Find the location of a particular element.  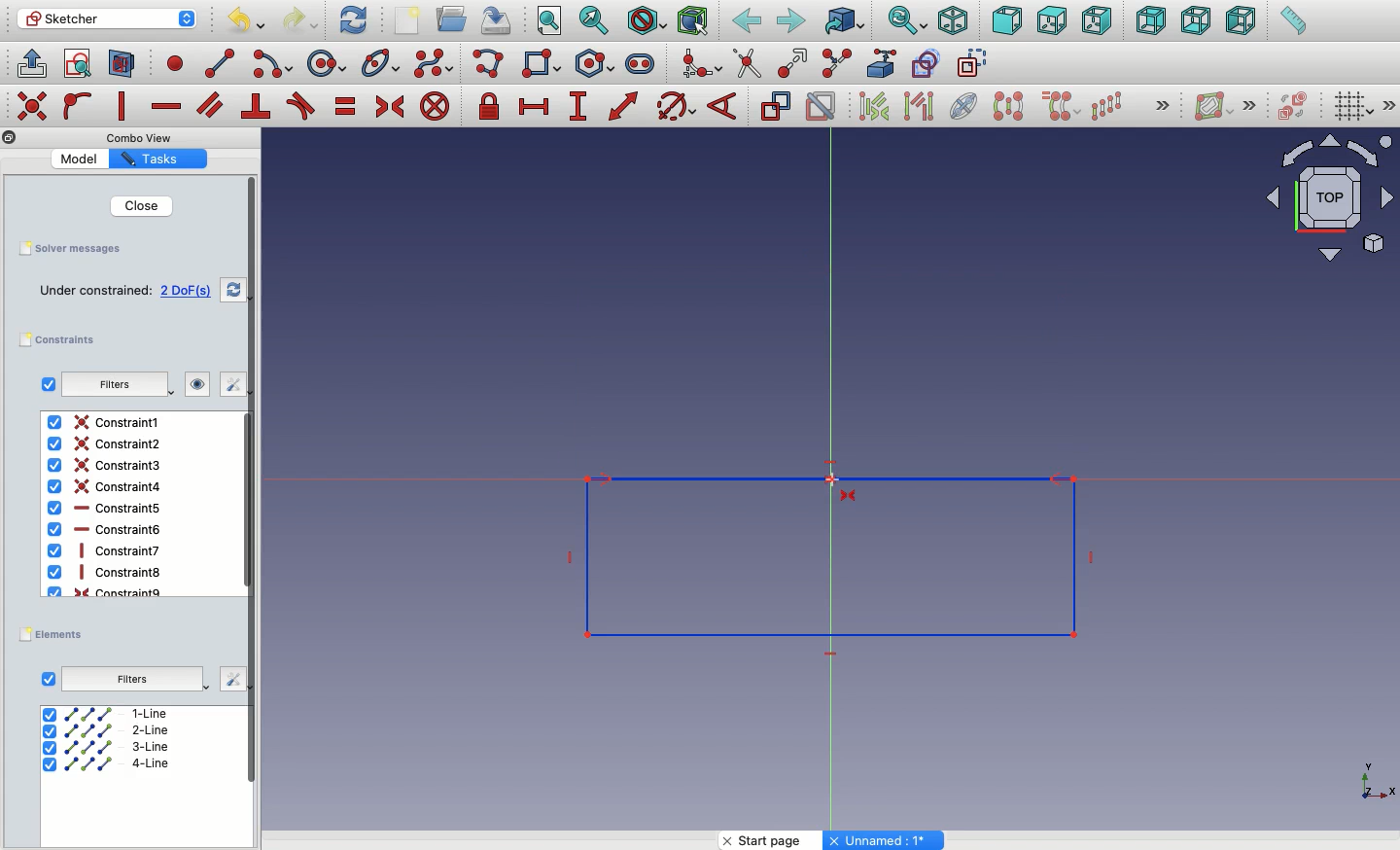

4 DoFs is located at coordinates (191, 291).